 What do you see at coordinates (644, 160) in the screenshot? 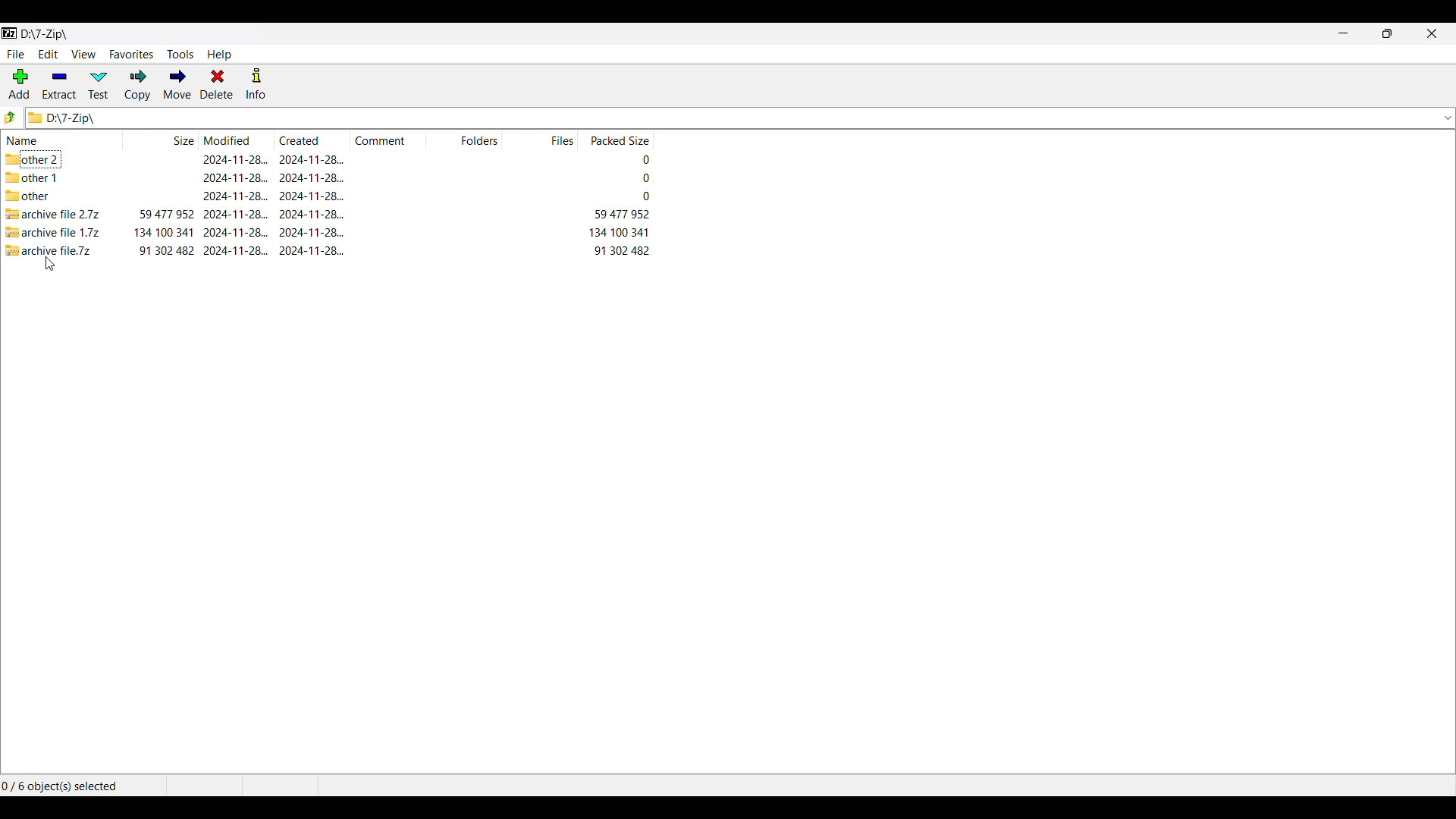
I see `packed size` at bounding box center [644, 160].